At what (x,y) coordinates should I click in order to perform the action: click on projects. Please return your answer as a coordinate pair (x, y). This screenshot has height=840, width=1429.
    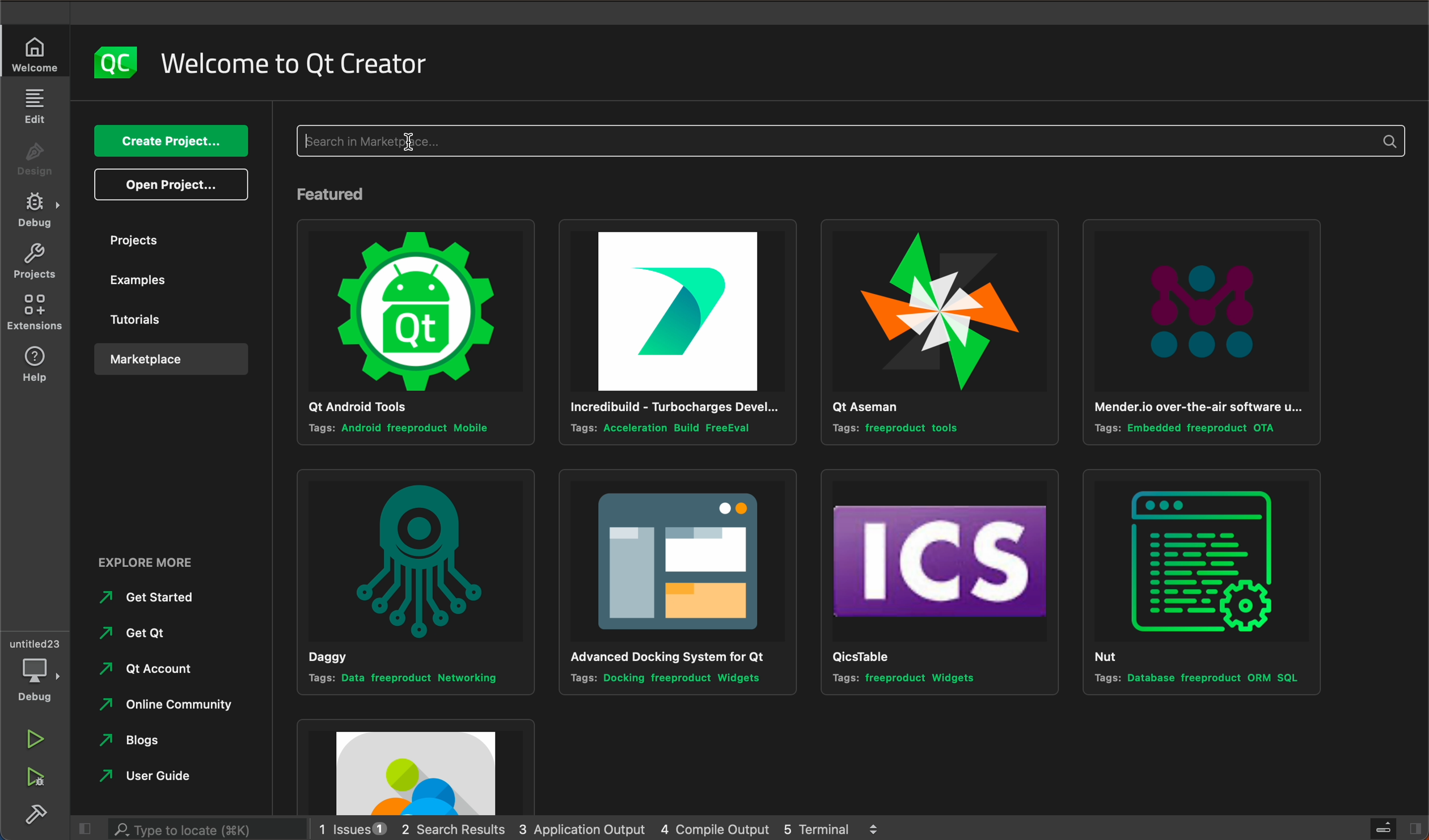
    Looking at the image, I should click on (33, 264).